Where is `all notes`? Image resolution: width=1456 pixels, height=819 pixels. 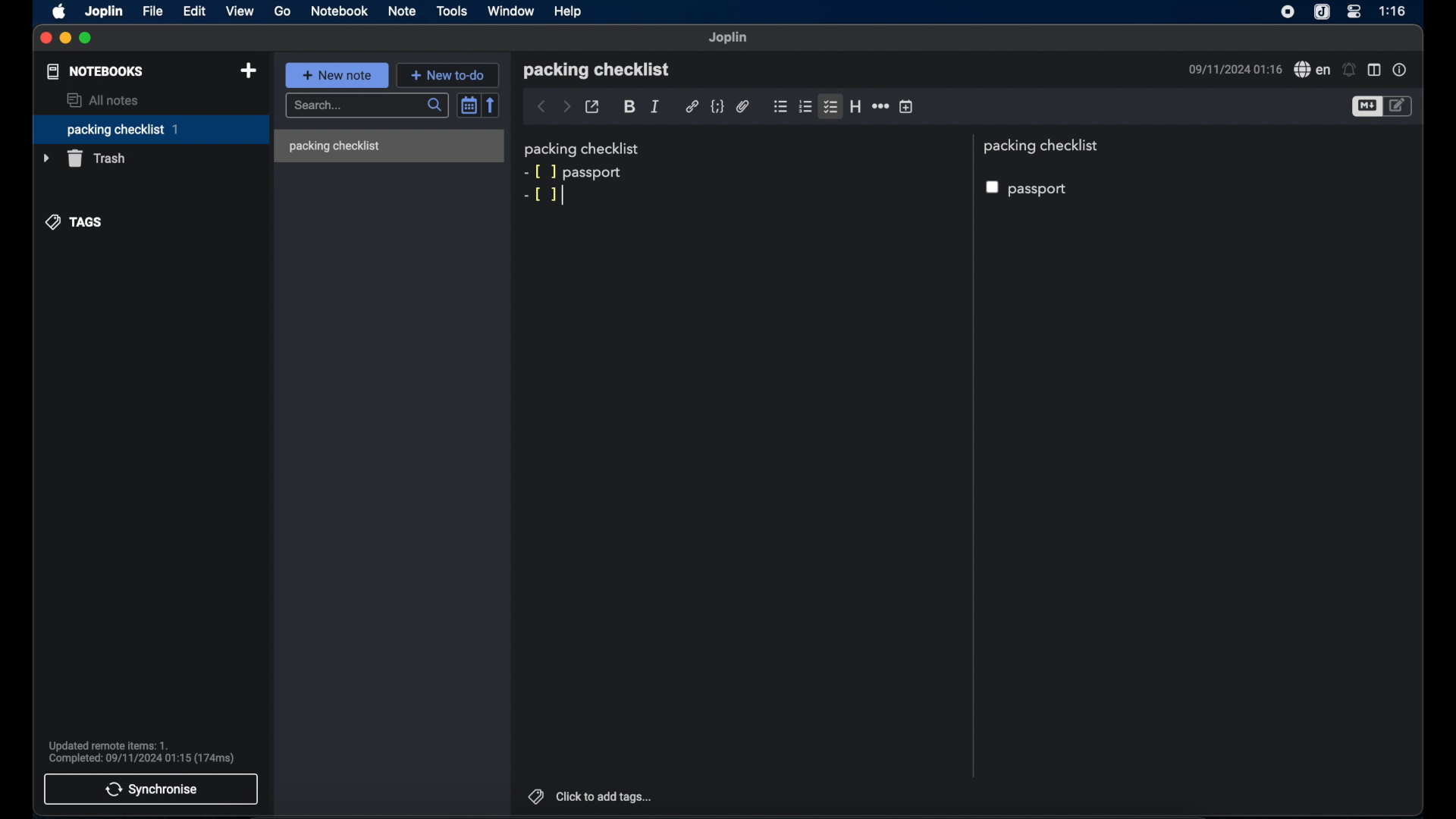
all notes is located at coordinates (105, 100).